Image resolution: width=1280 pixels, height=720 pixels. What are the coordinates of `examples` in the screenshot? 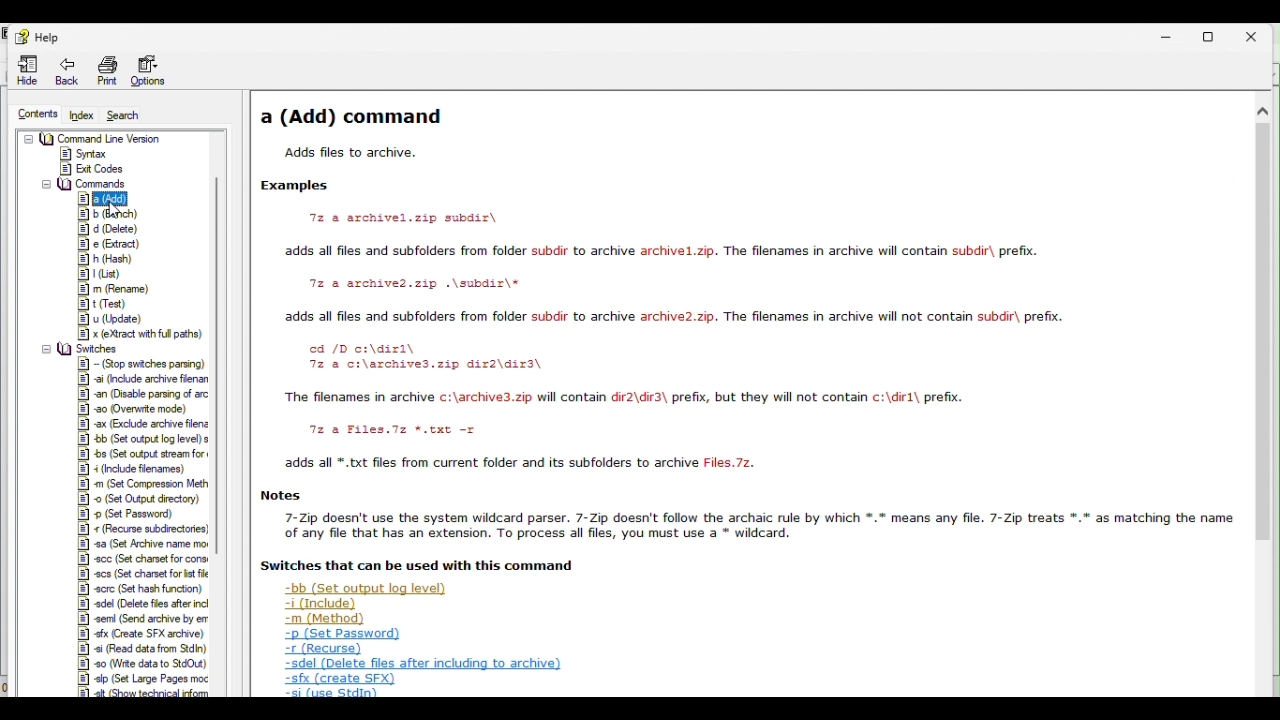 It's located at (304, 187).